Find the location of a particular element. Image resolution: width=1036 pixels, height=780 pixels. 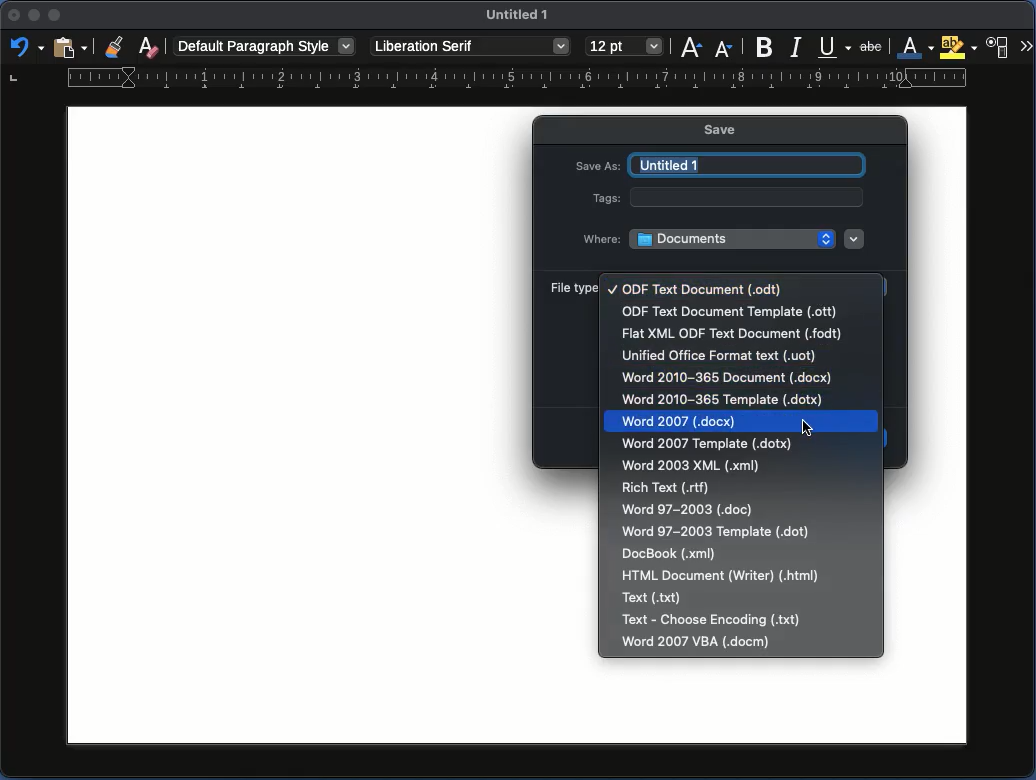

Save is located at coordinates (730, 130).